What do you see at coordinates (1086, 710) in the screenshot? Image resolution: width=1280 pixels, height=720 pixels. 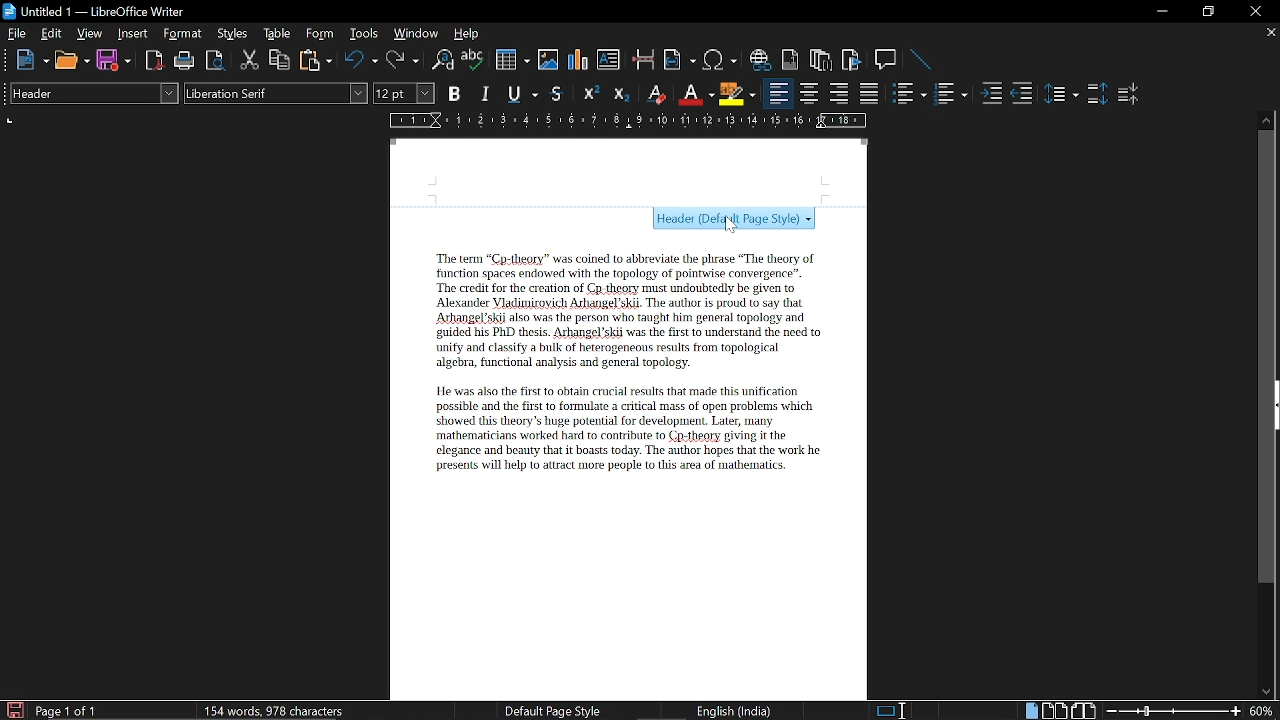 I see `Book view` at bounding box center [1086, 710].